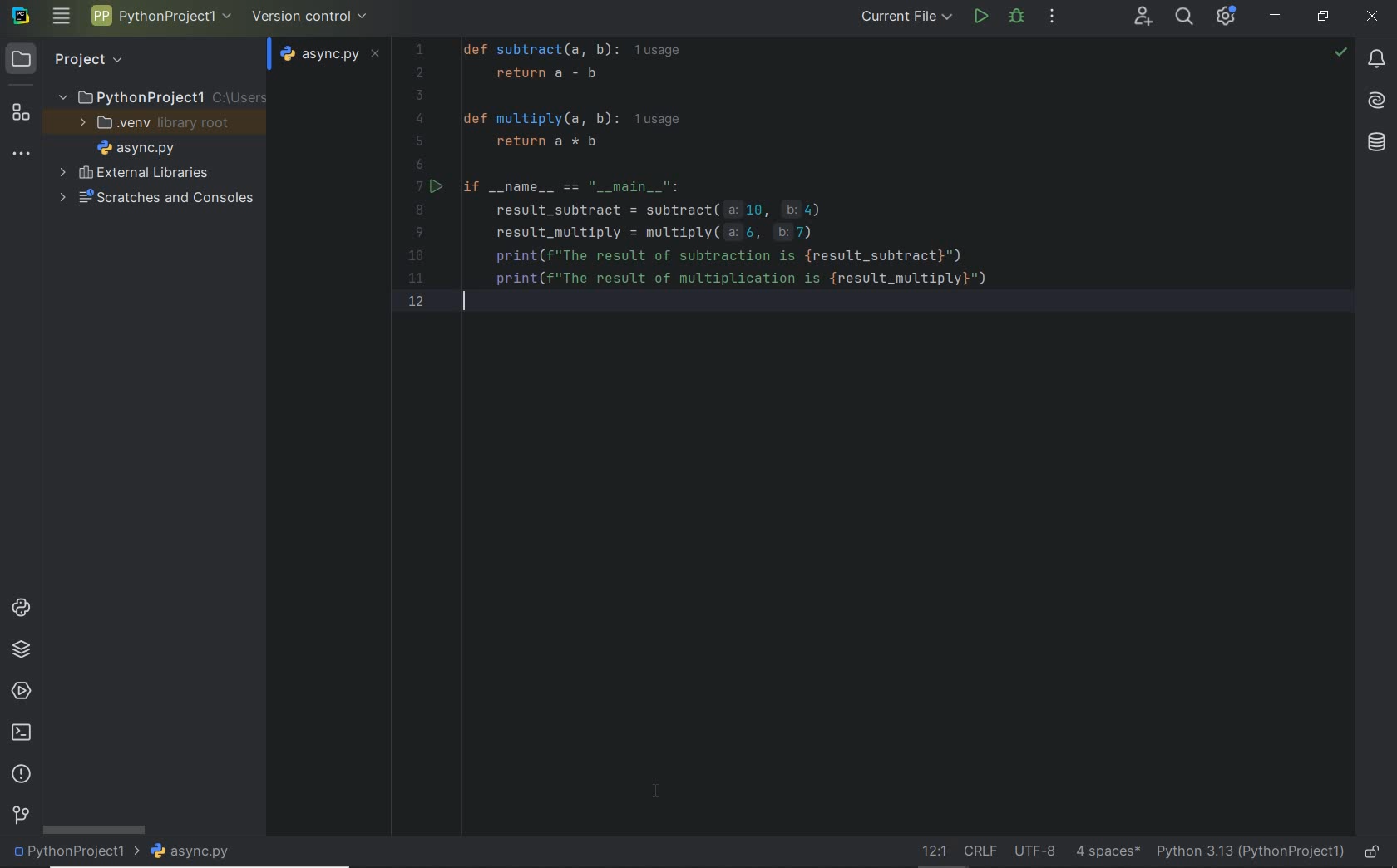  Describe the element at coordinates (20, 775) in the screenshot. I see `problems` at that location.